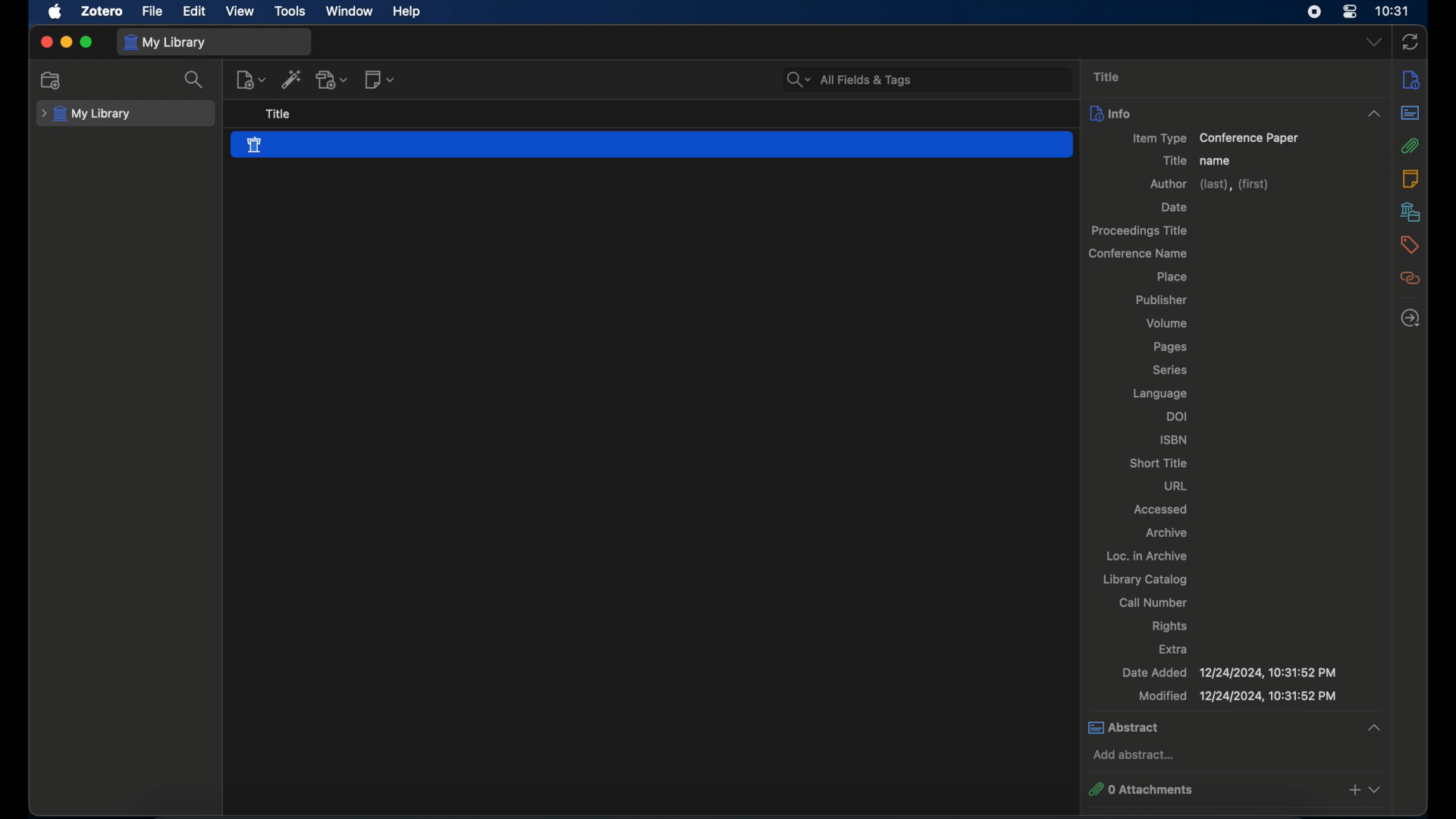 This screenshot has width=1456, height=819. I want to click on pages, so click(1170, 347).